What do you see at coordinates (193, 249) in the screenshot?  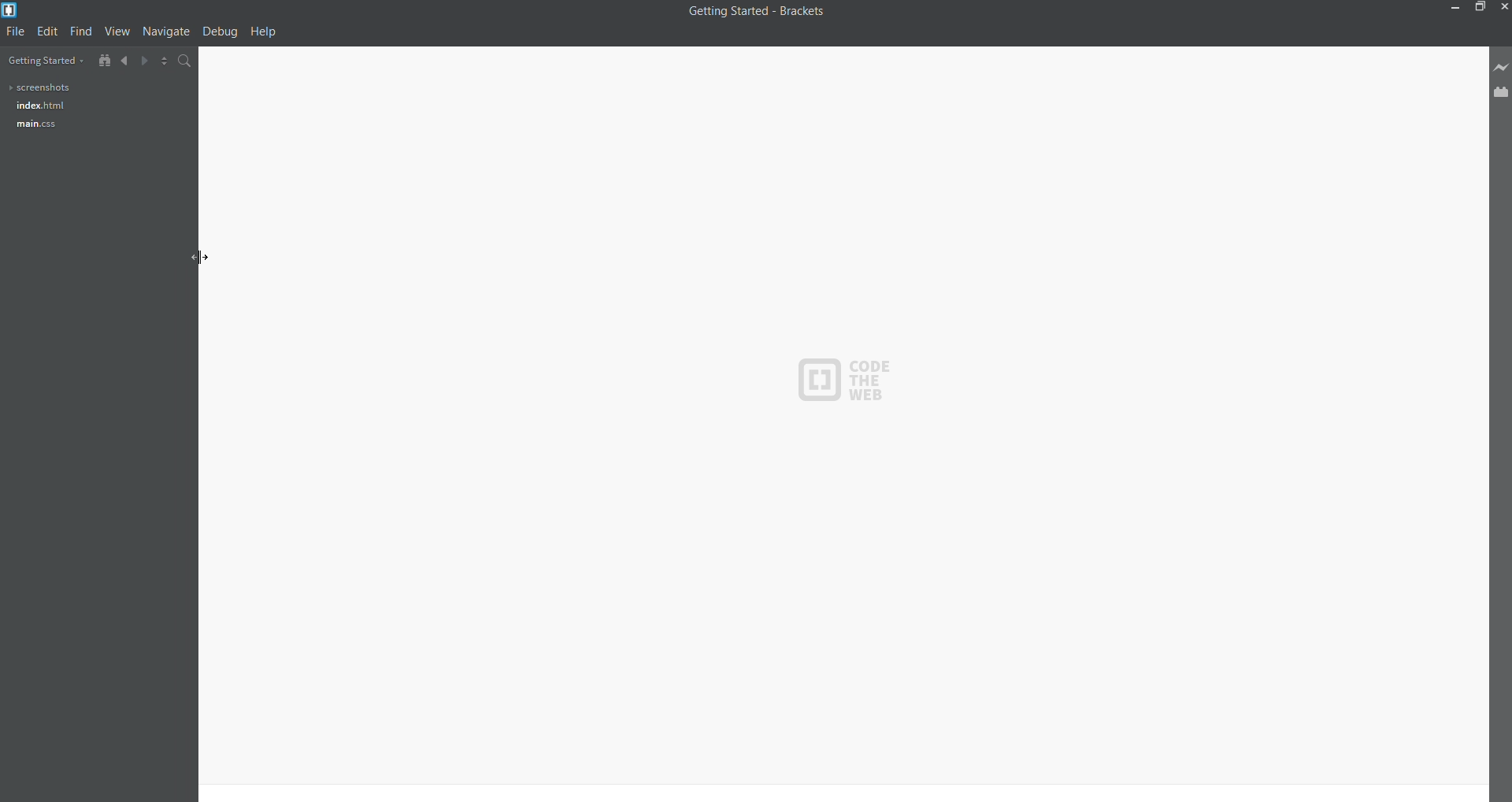 I see `cursor` at bounding box center [193, 249].